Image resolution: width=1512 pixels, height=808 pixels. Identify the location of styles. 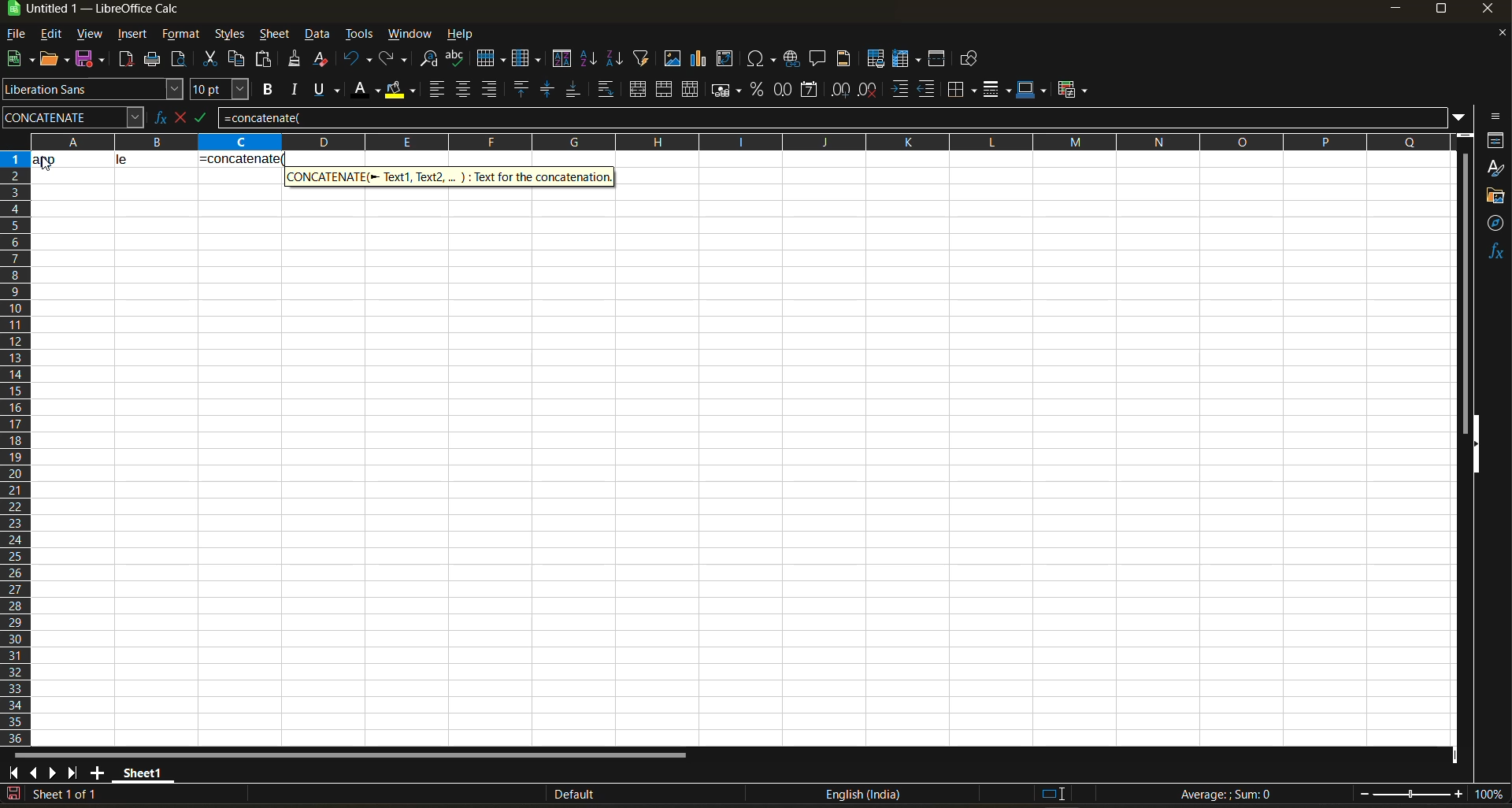
(1495, 169).